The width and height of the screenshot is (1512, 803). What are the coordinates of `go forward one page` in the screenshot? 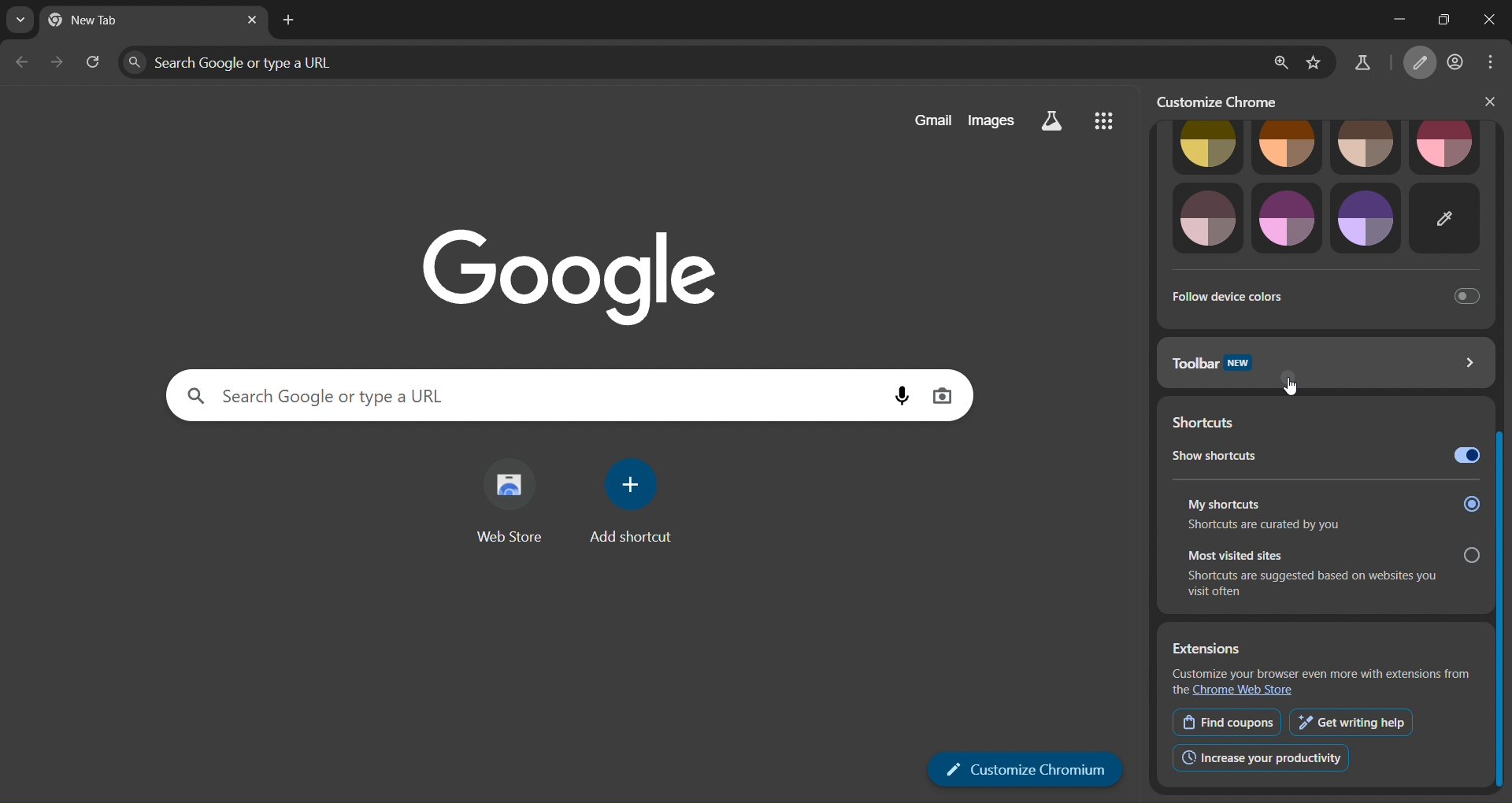 It's located at (57, 61).